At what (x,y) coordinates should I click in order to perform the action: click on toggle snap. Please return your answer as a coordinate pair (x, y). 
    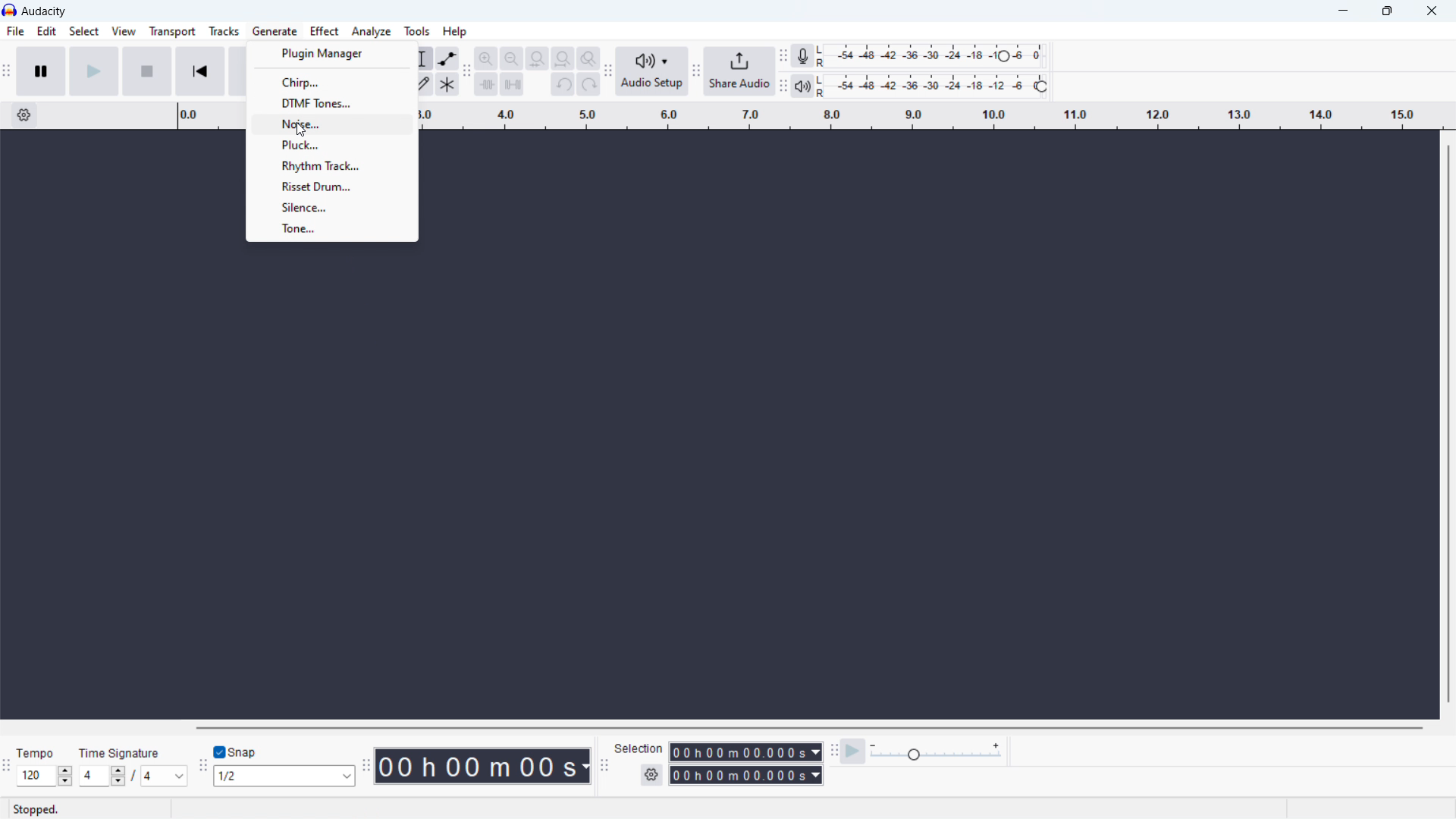
    Looking at the image, I should click on (237, 751).